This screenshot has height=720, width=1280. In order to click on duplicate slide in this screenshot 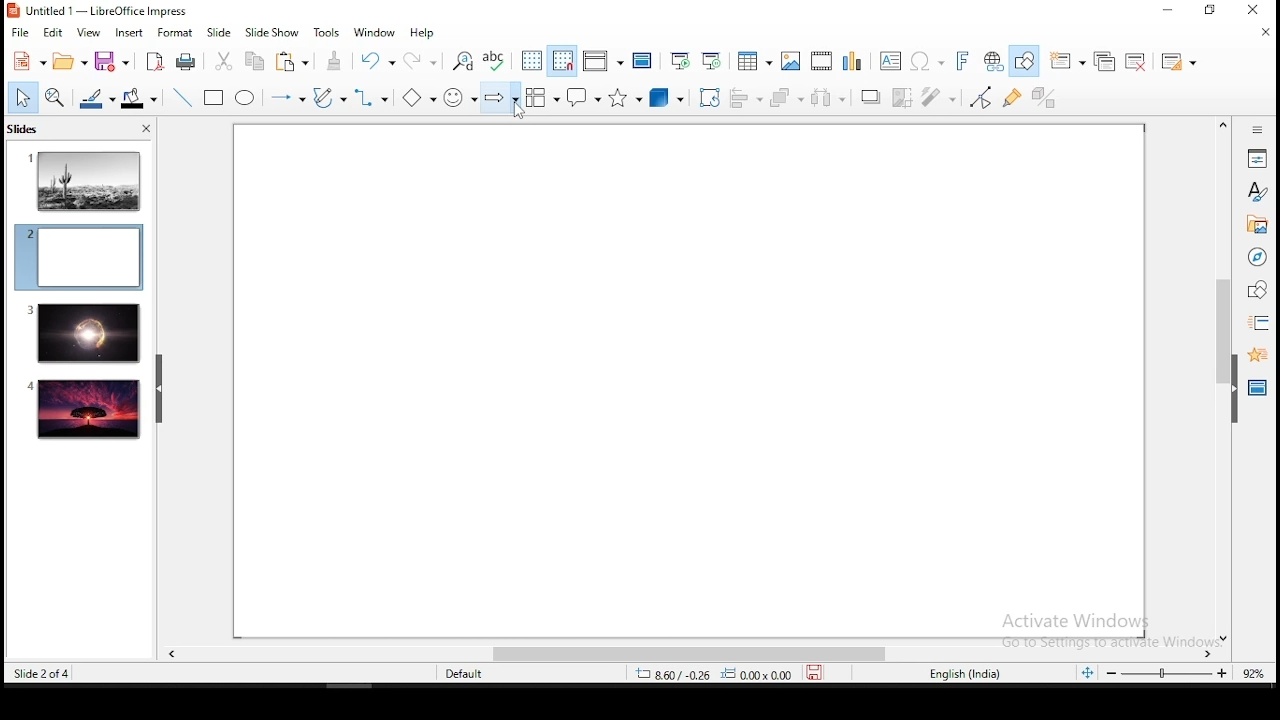, I will do `click(1107, 62)`.